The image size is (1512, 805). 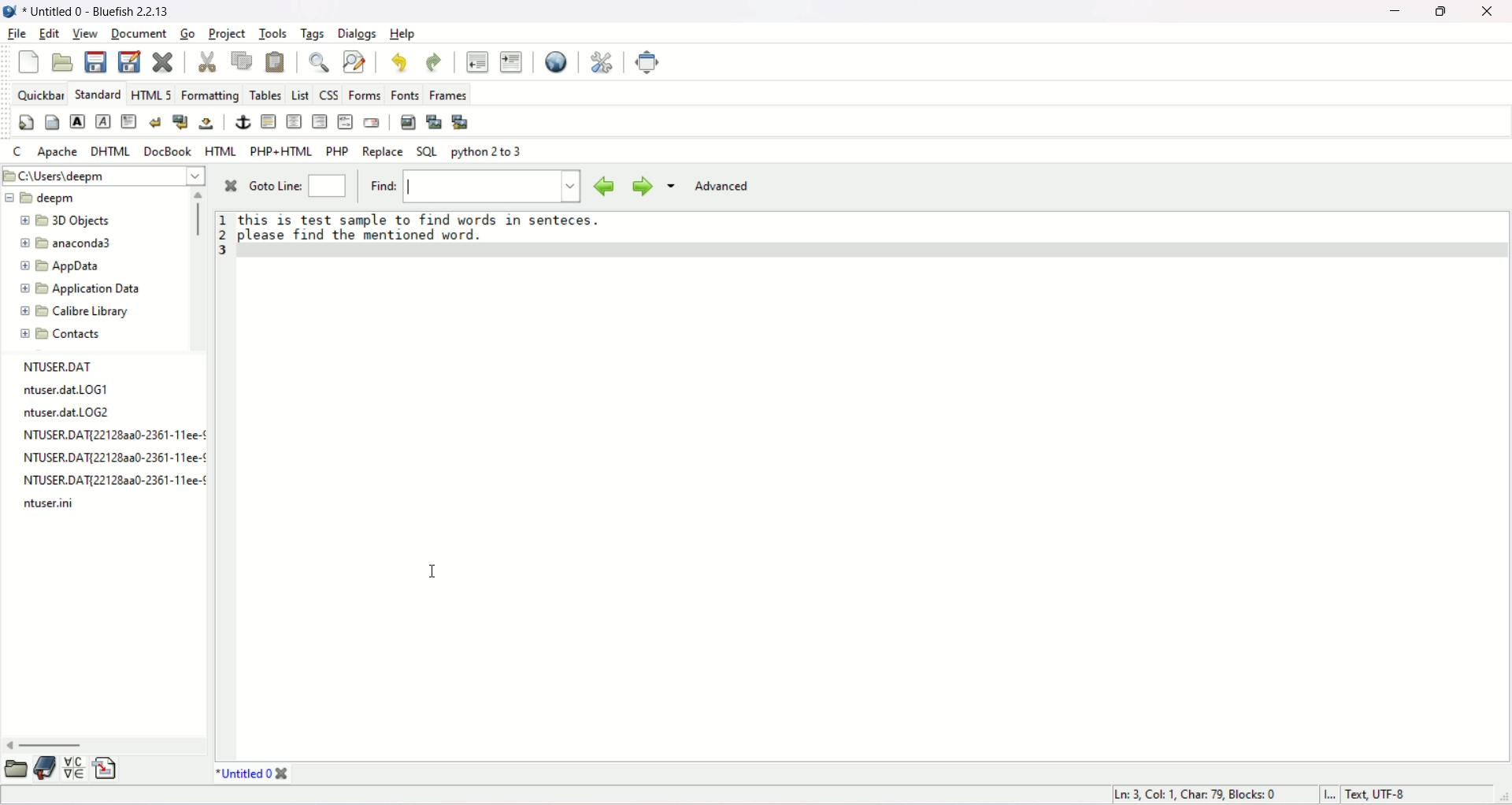 I want to click on maximize, so click(x=1443, y=12).